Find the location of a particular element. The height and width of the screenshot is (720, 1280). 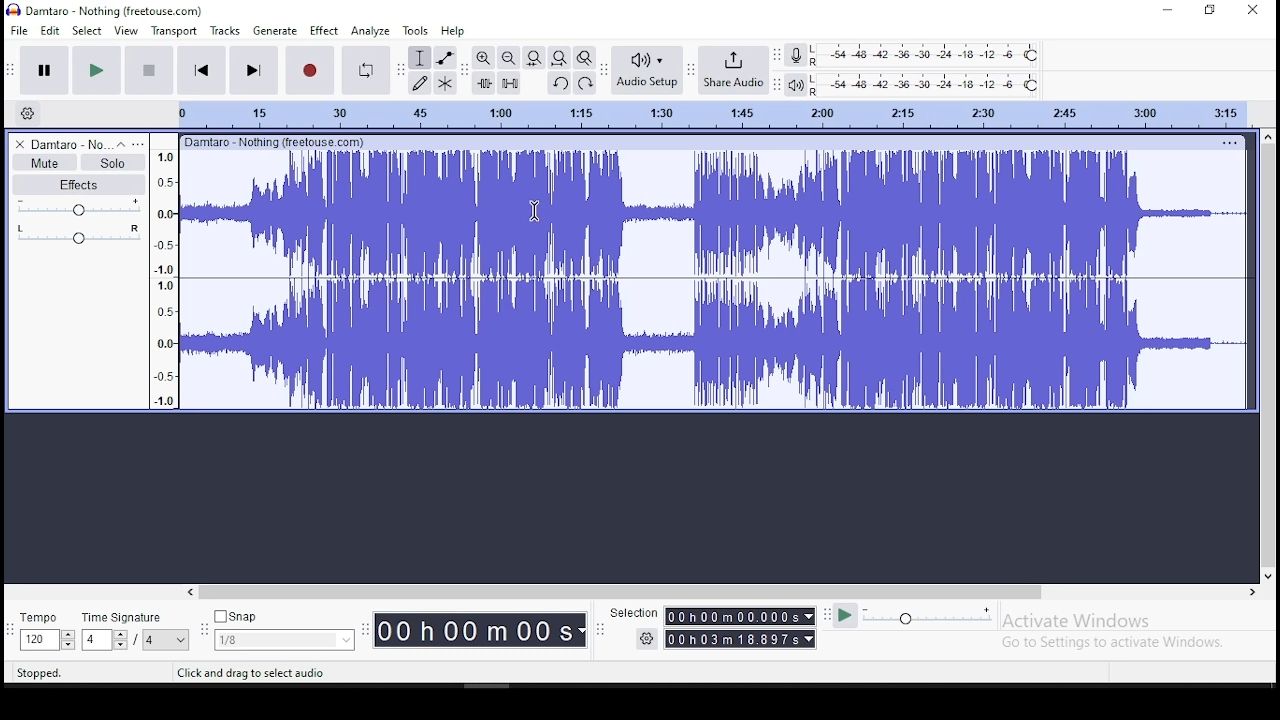

track time is located at coordinates (711, 112).